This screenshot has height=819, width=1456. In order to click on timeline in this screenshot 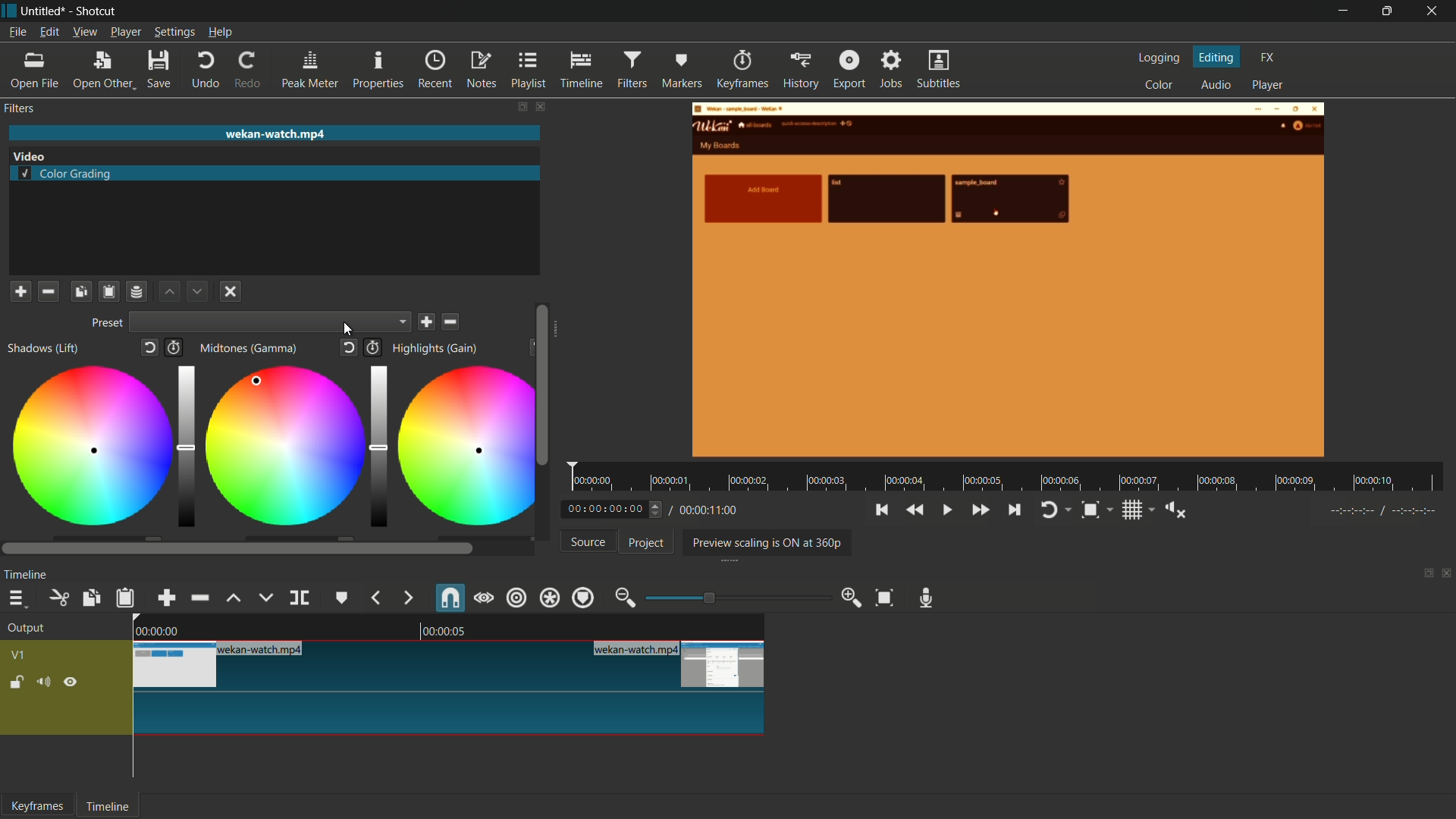, I will do `click(26, 576)`.